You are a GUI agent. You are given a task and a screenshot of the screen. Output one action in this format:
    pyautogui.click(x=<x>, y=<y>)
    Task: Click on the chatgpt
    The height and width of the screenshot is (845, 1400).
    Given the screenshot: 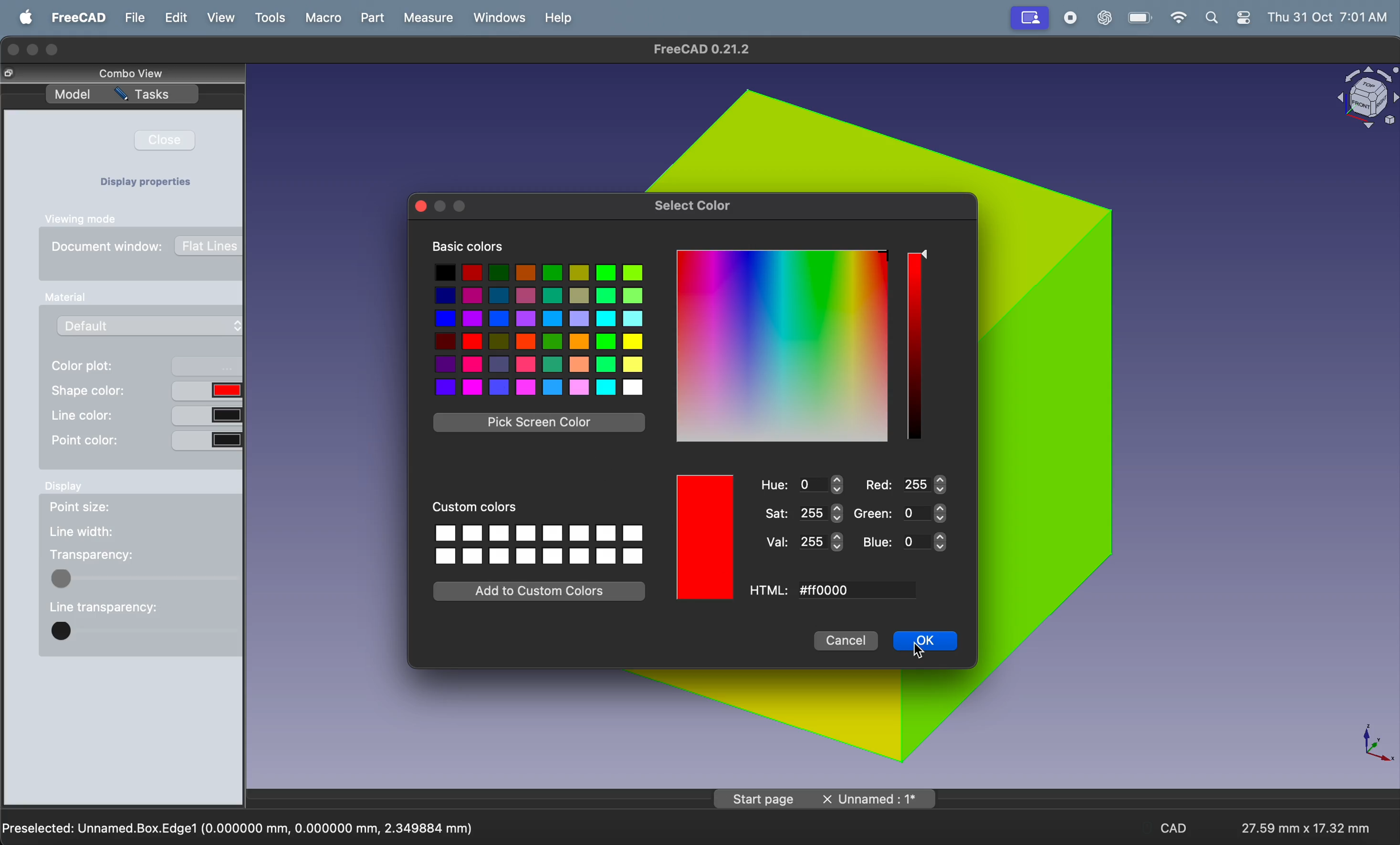 What is the action you would take?
    pyautogui.click(x=1103, y=19)
    